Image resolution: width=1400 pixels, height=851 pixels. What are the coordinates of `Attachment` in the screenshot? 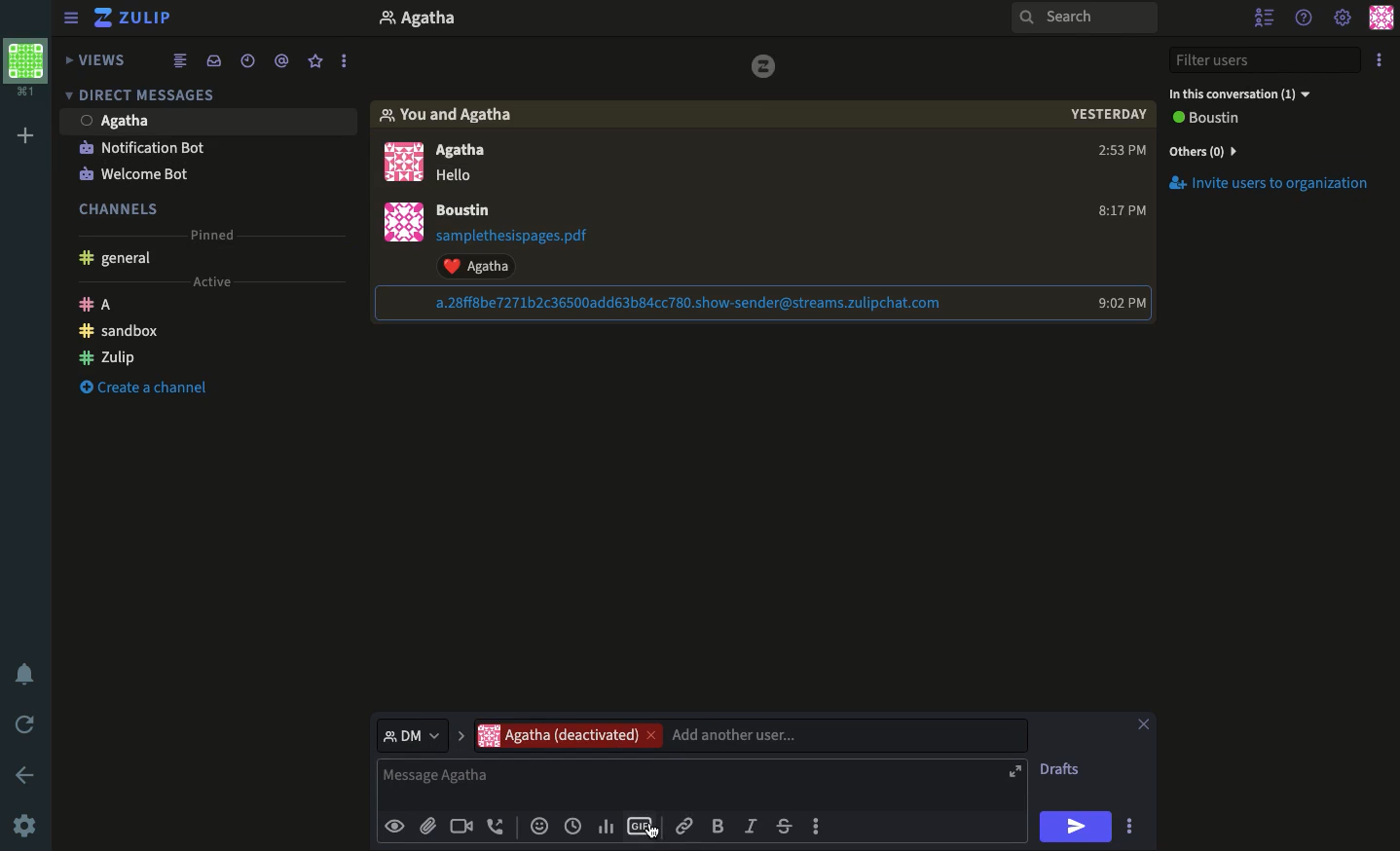 It's located at (530, 252).